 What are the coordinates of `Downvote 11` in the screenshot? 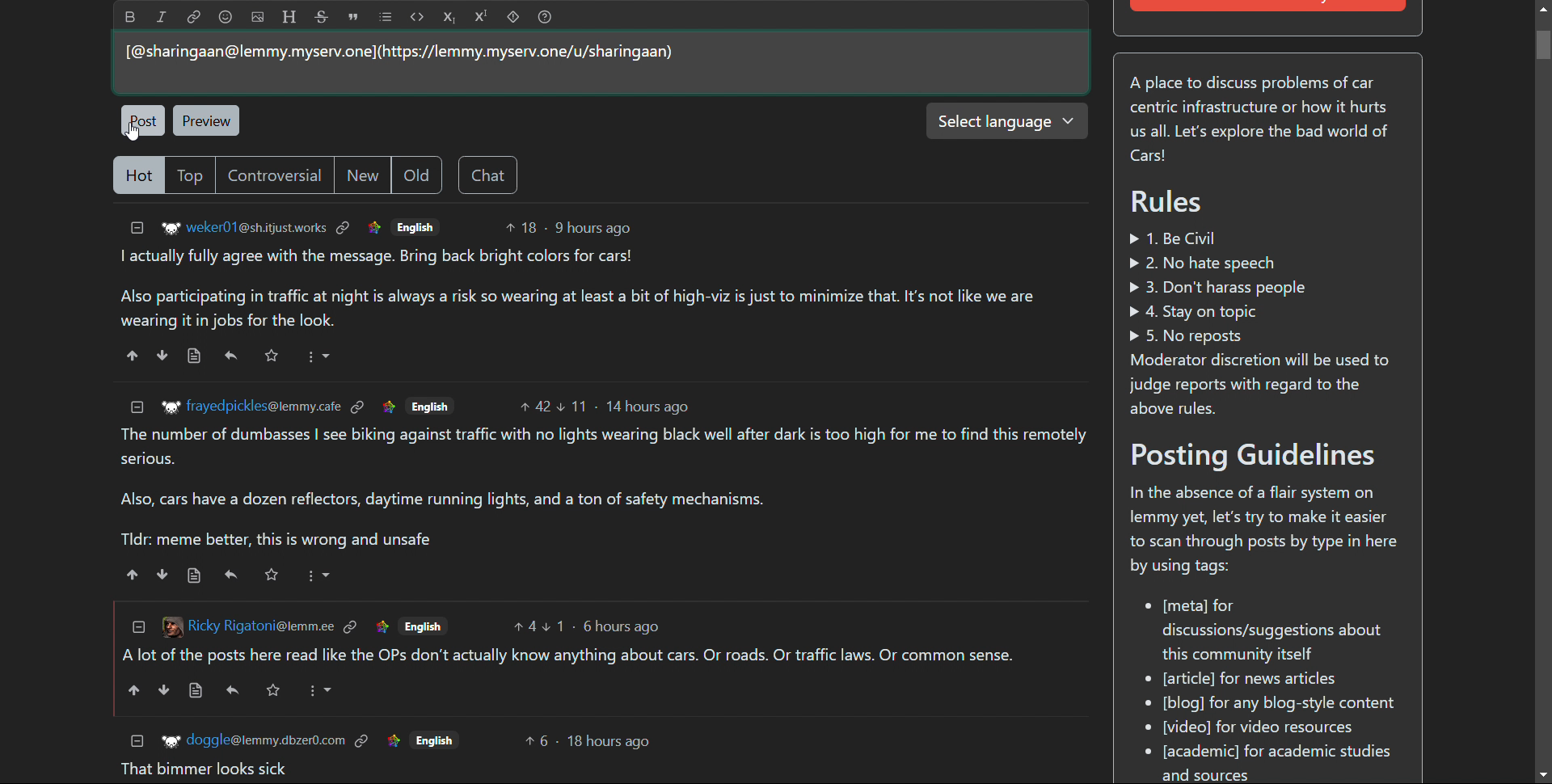 It's located at (575, 403).